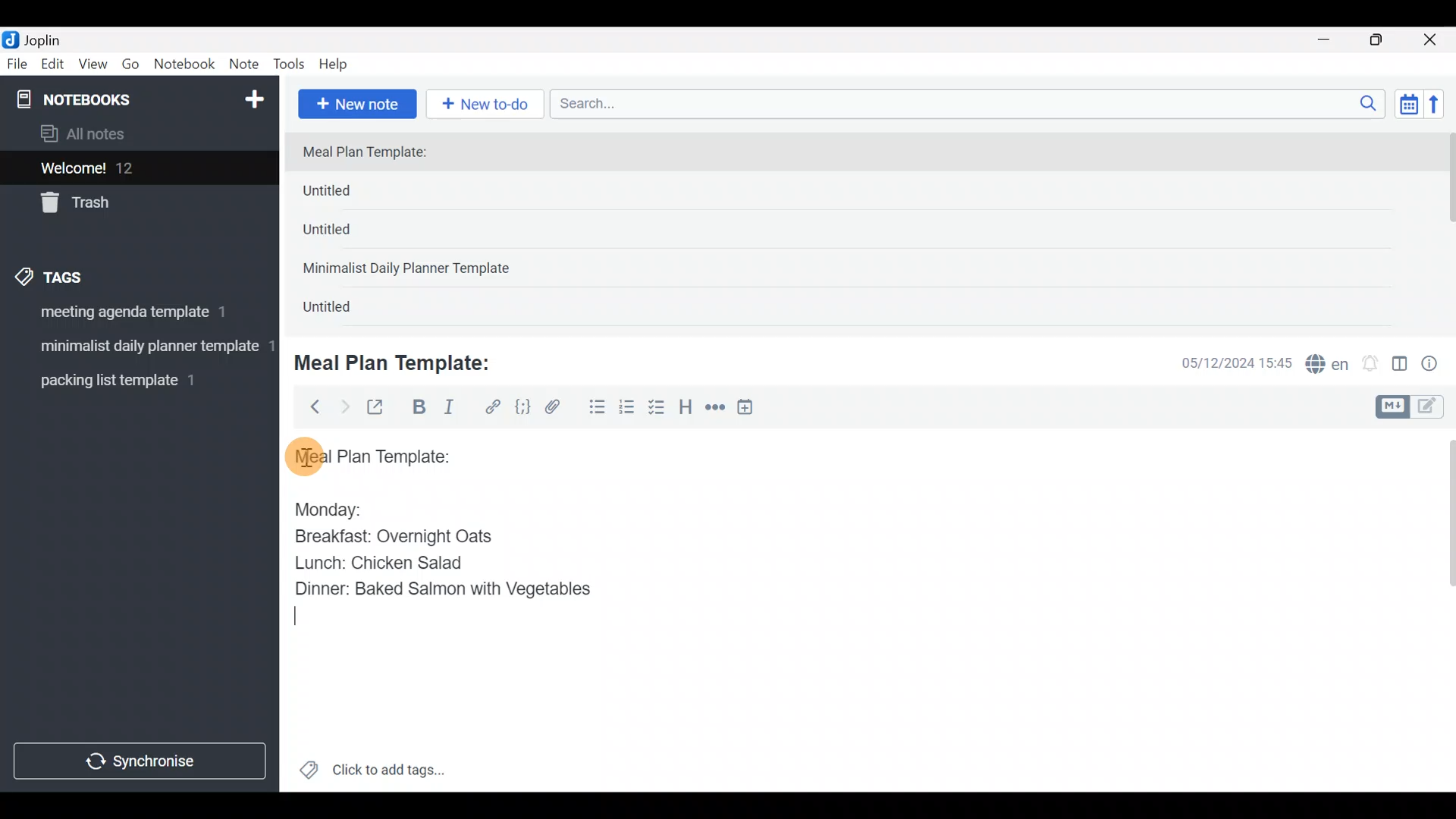  I want to click on Back, so click(309, 406).